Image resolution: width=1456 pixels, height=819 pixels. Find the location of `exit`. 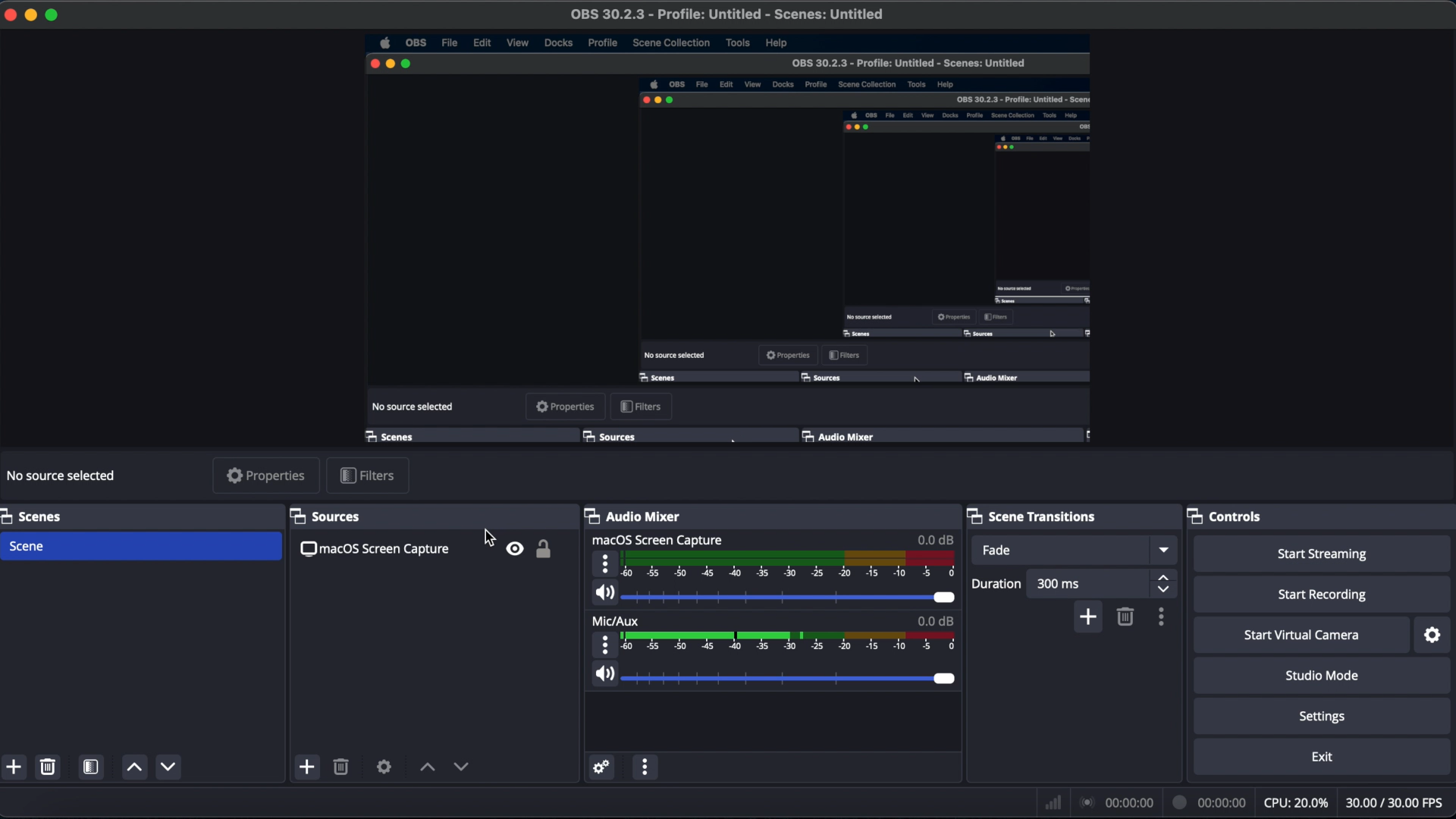

exit is located at coordinates (1323, 758).